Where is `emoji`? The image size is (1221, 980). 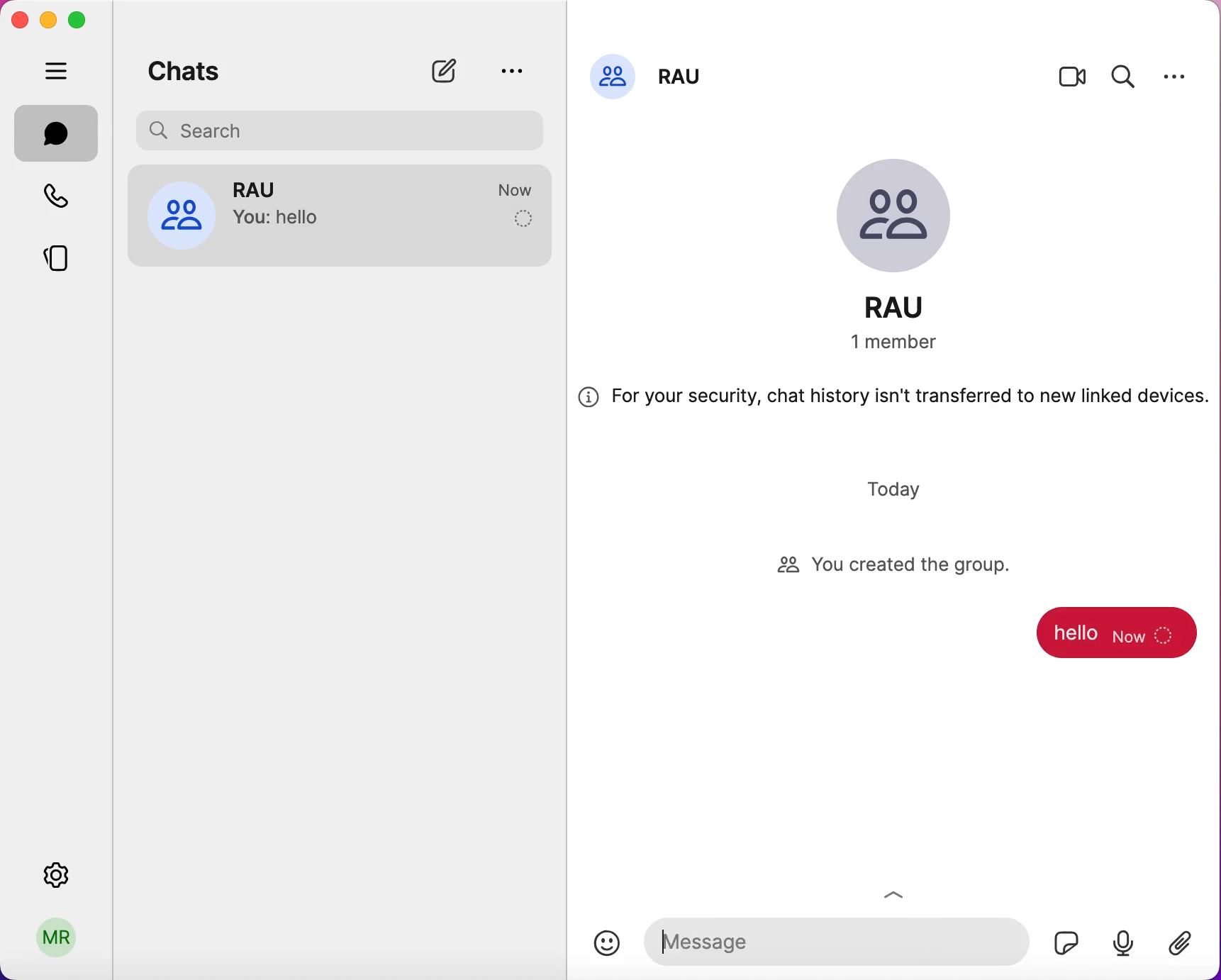
emoji is located at coordinates (607, 943).